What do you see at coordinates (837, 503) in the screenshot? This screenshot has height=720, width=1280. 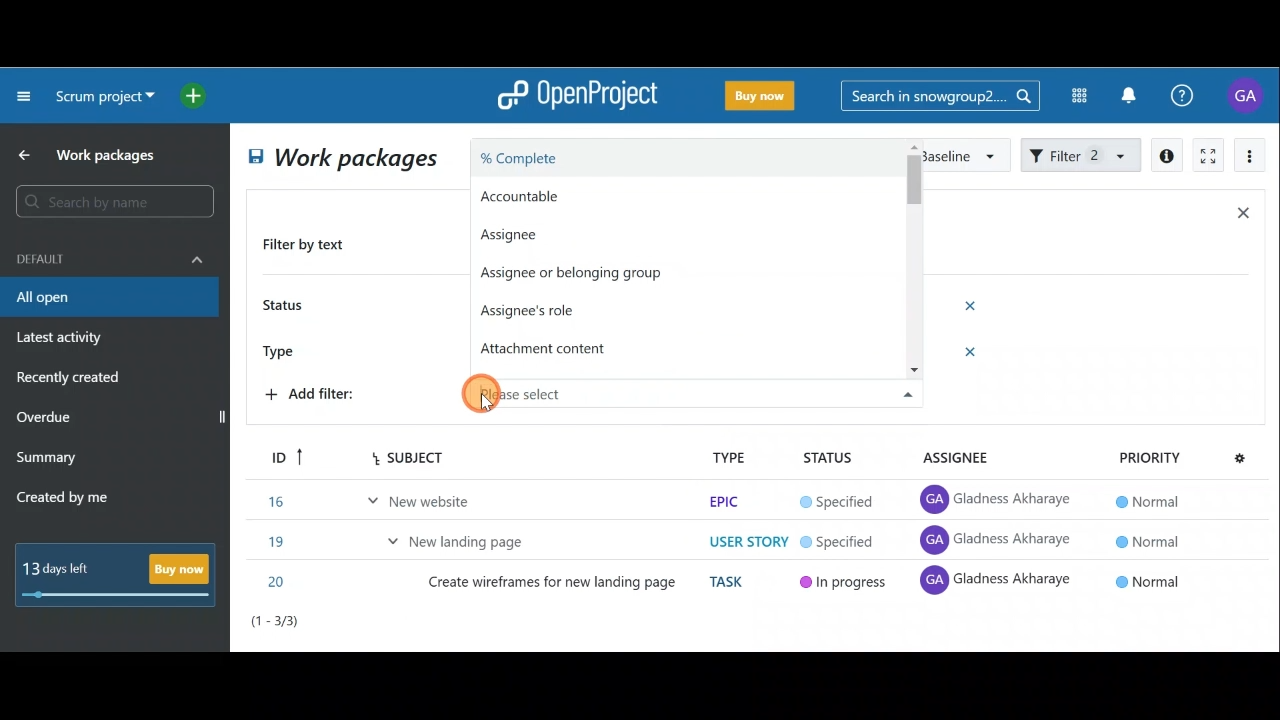 I see `specified` at bounding box center [837, 503].